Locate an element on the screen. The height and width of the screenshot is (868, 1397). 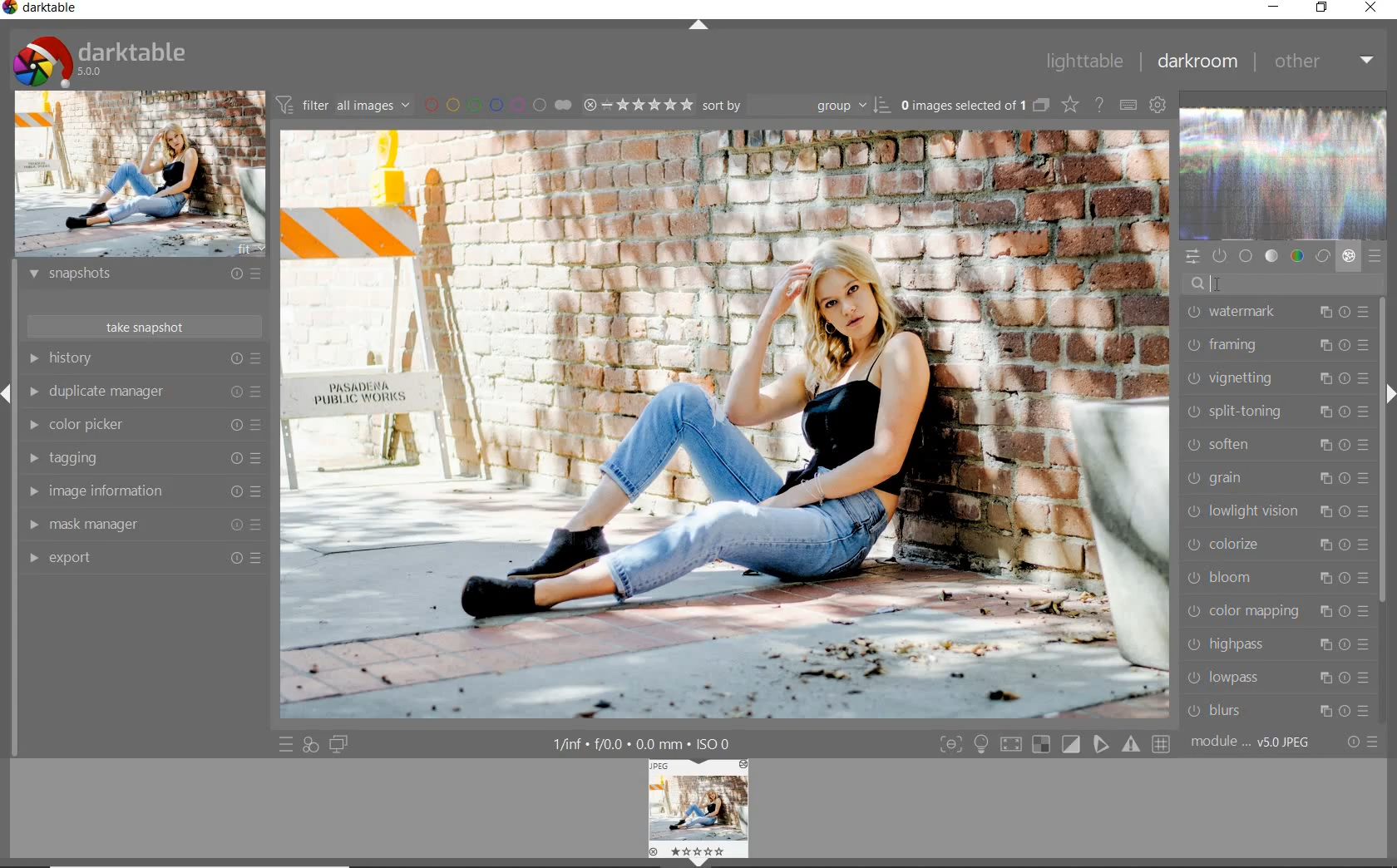
color mapping is located at coordinates (1273, 611).